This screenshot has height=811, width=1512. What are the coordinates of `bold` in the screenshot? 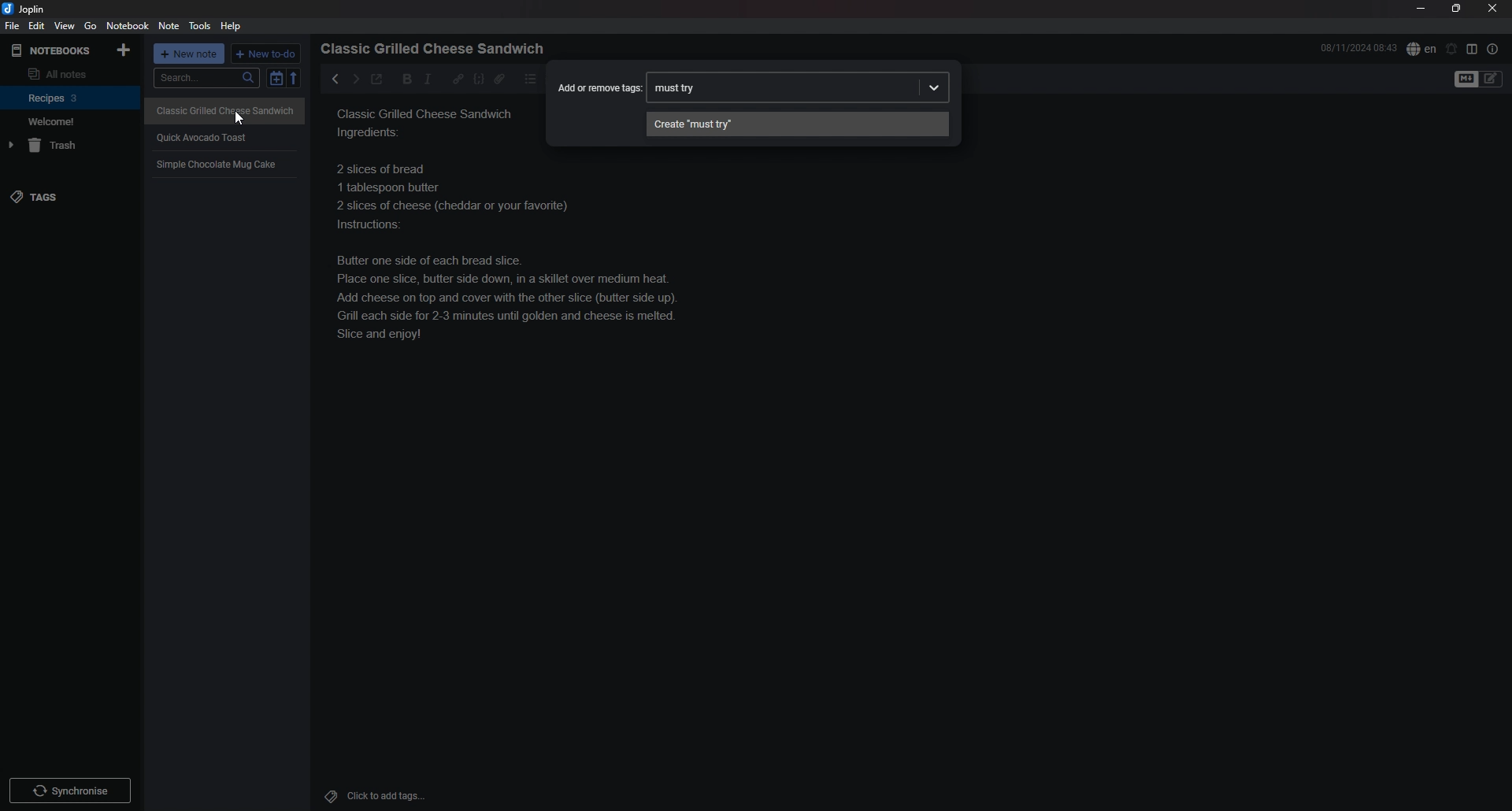 It's located at (402, 80).